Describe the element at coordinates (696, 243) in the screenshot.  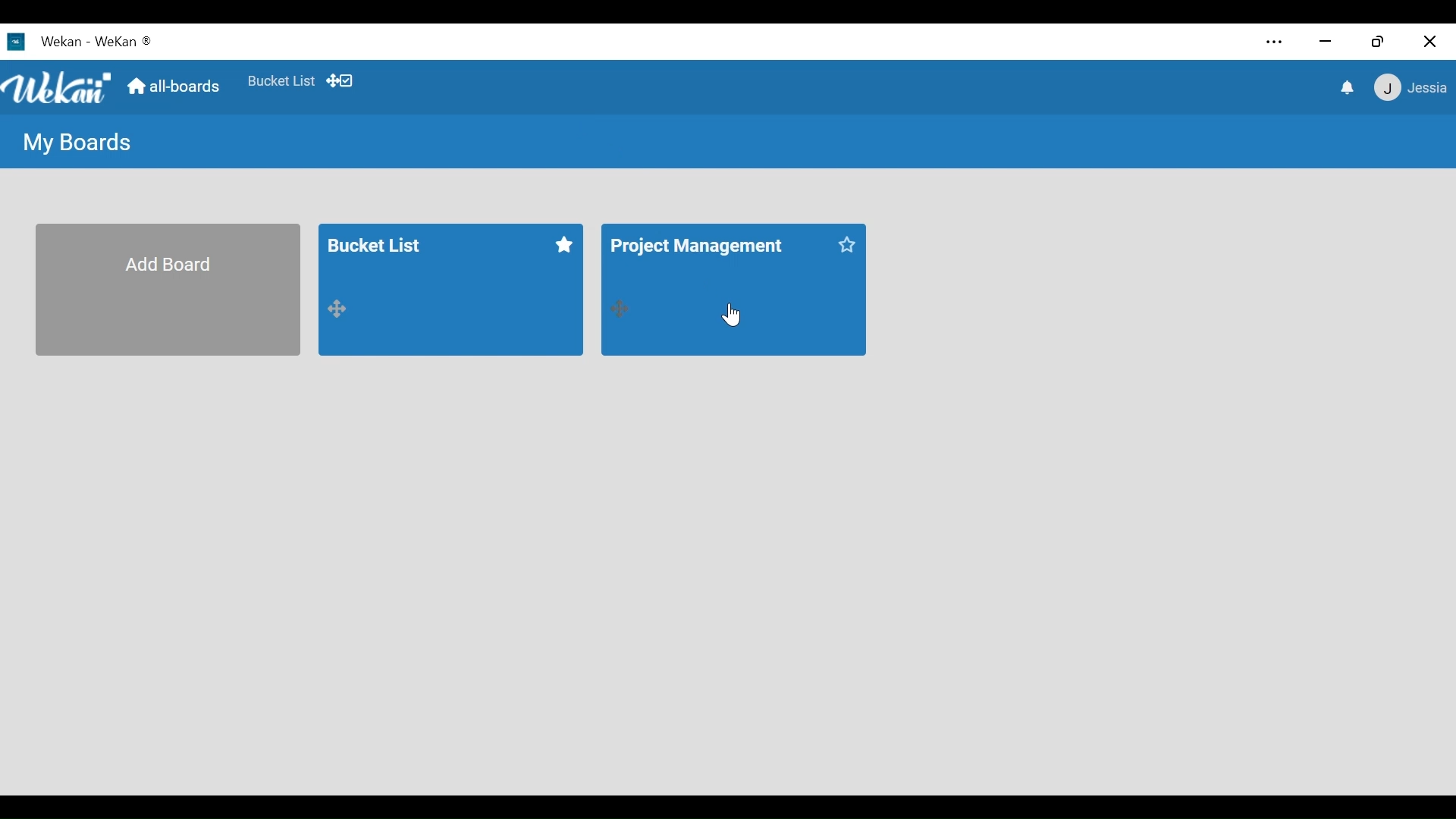
I see ` Project Management` at that location.